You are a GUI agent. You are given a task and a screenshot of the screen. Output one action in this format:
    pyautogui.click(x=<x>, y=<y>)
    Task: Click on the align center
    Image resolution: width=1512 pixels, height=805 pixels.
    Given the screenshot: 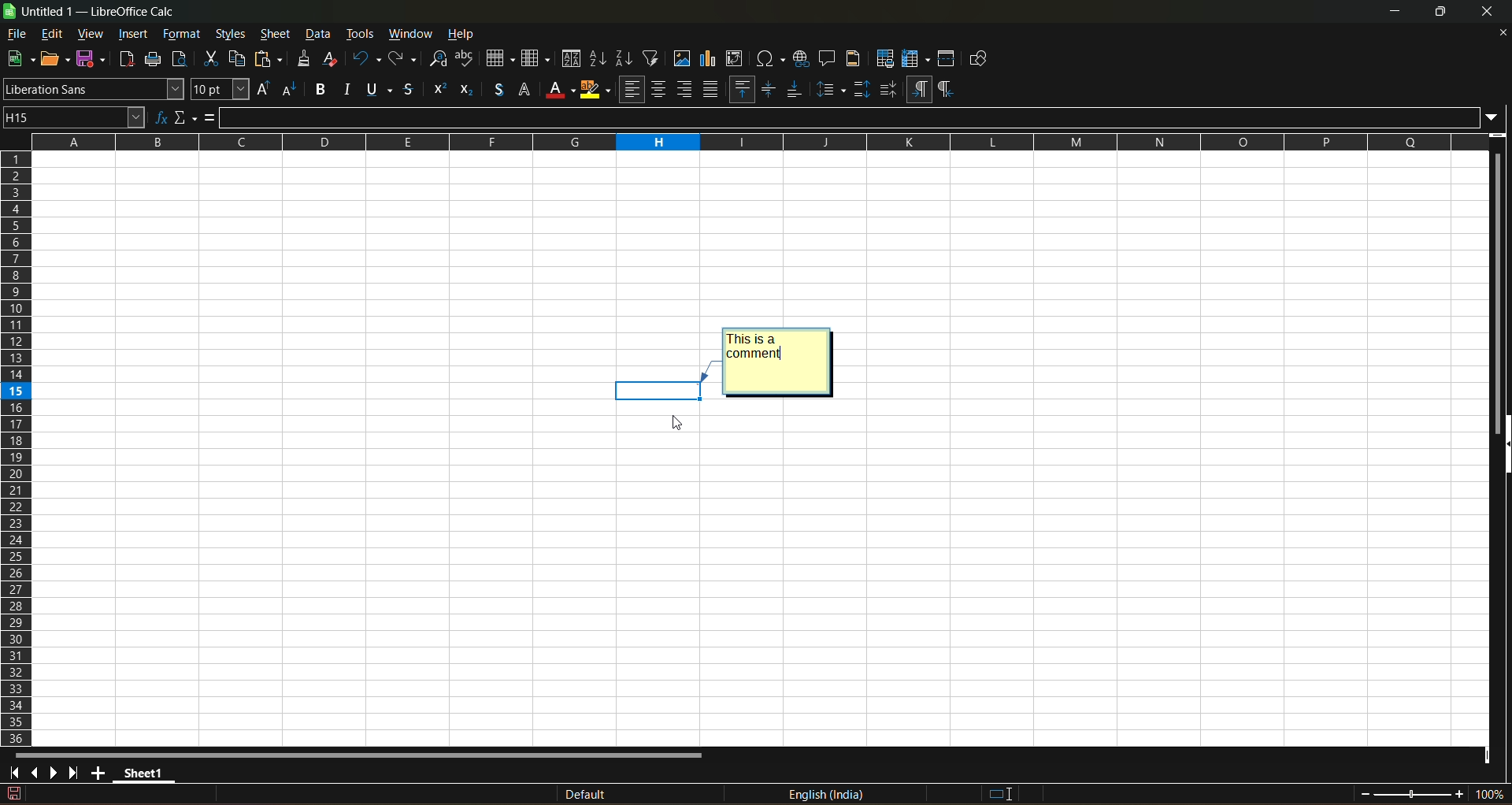 What is the action you would take?
    pyautogui.click(x=464, y=89)
    